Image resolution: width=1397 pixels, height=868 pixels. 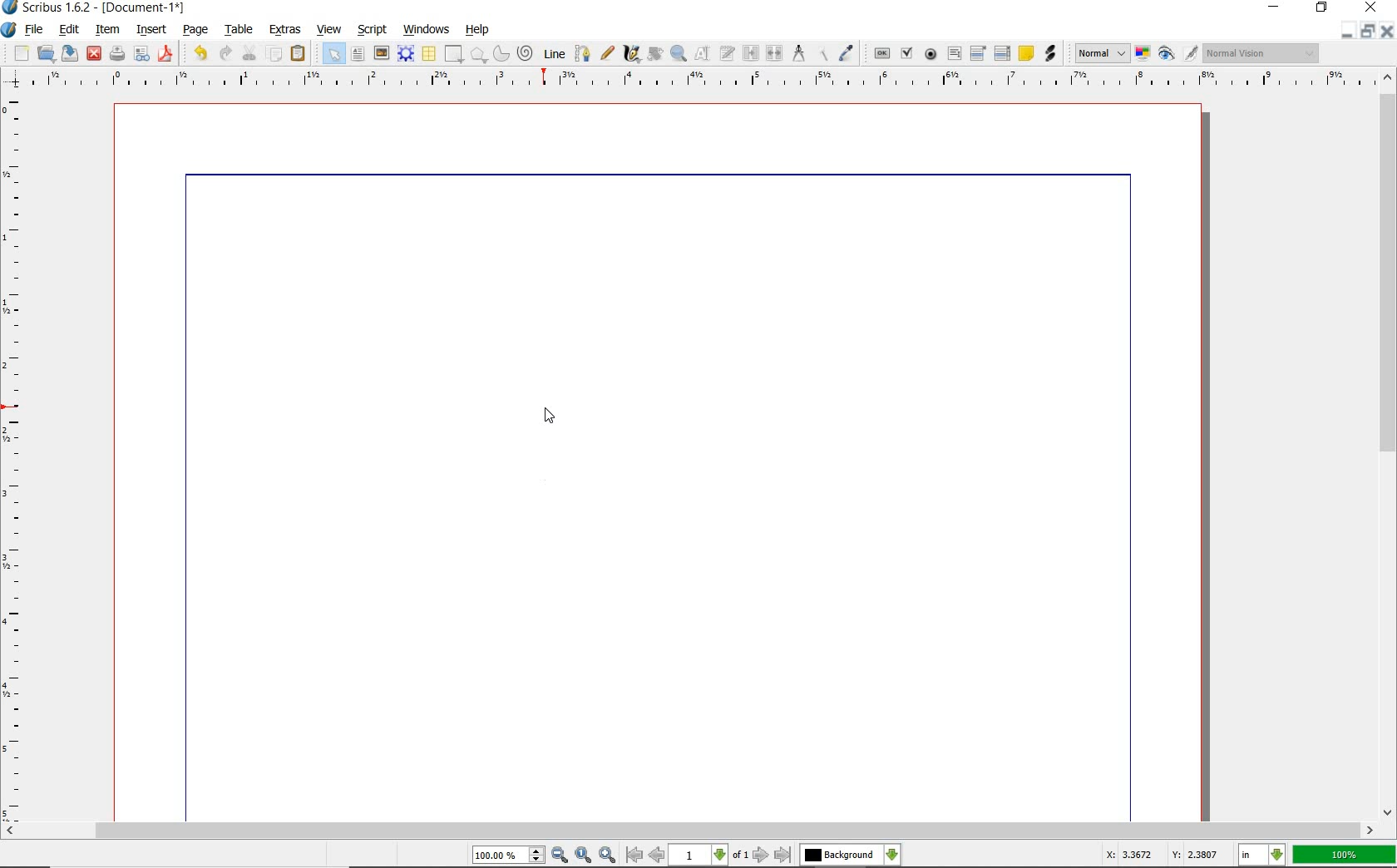 What do you see at coordinates (608, 856) in the screenshot?
I see `Zoom In` at bounding box center [608, 856].